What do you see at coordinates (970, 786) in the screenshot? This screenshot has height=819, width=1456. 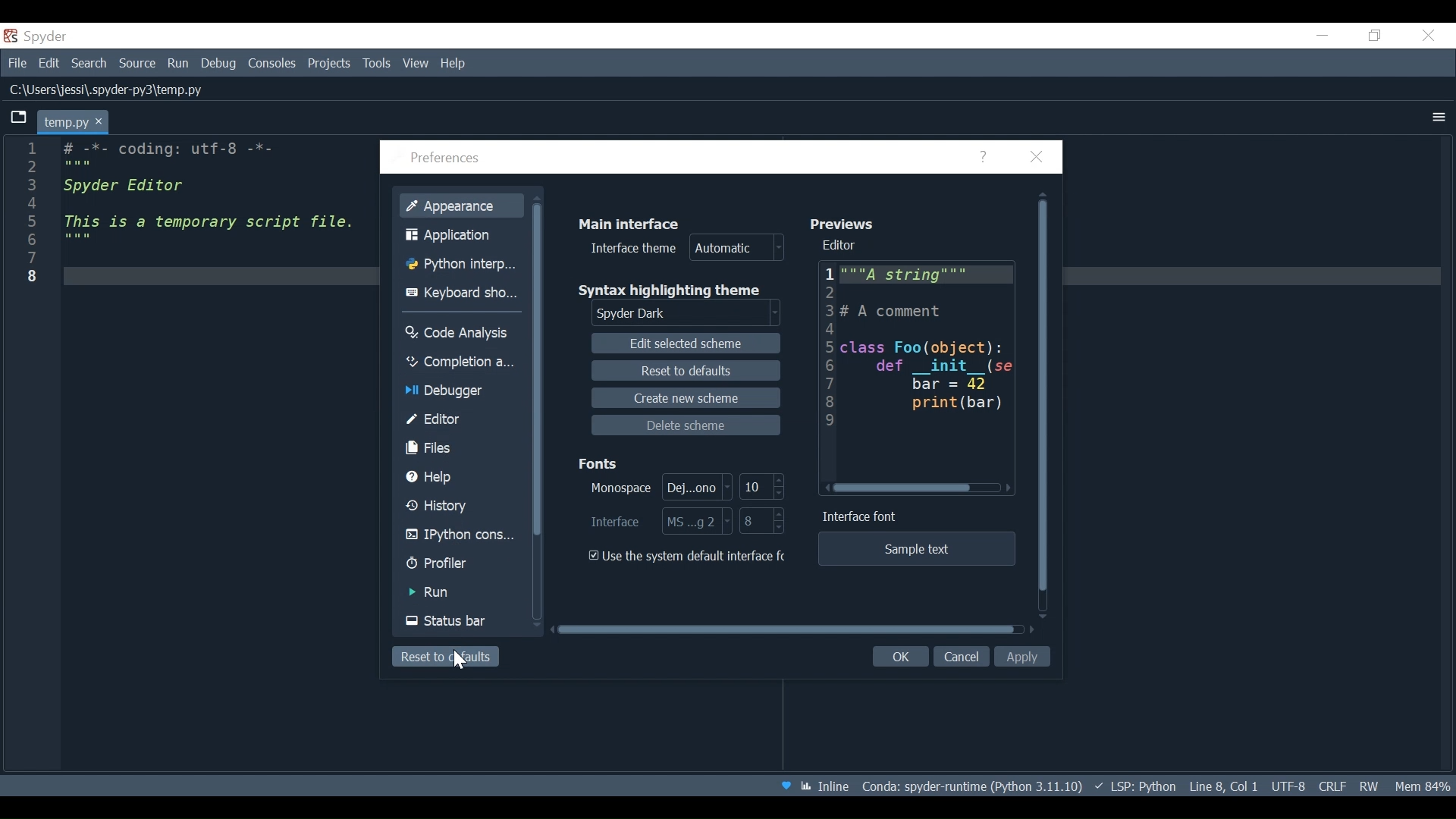 I see `Conda Environment Indicator` at bounding box center [970, 786].